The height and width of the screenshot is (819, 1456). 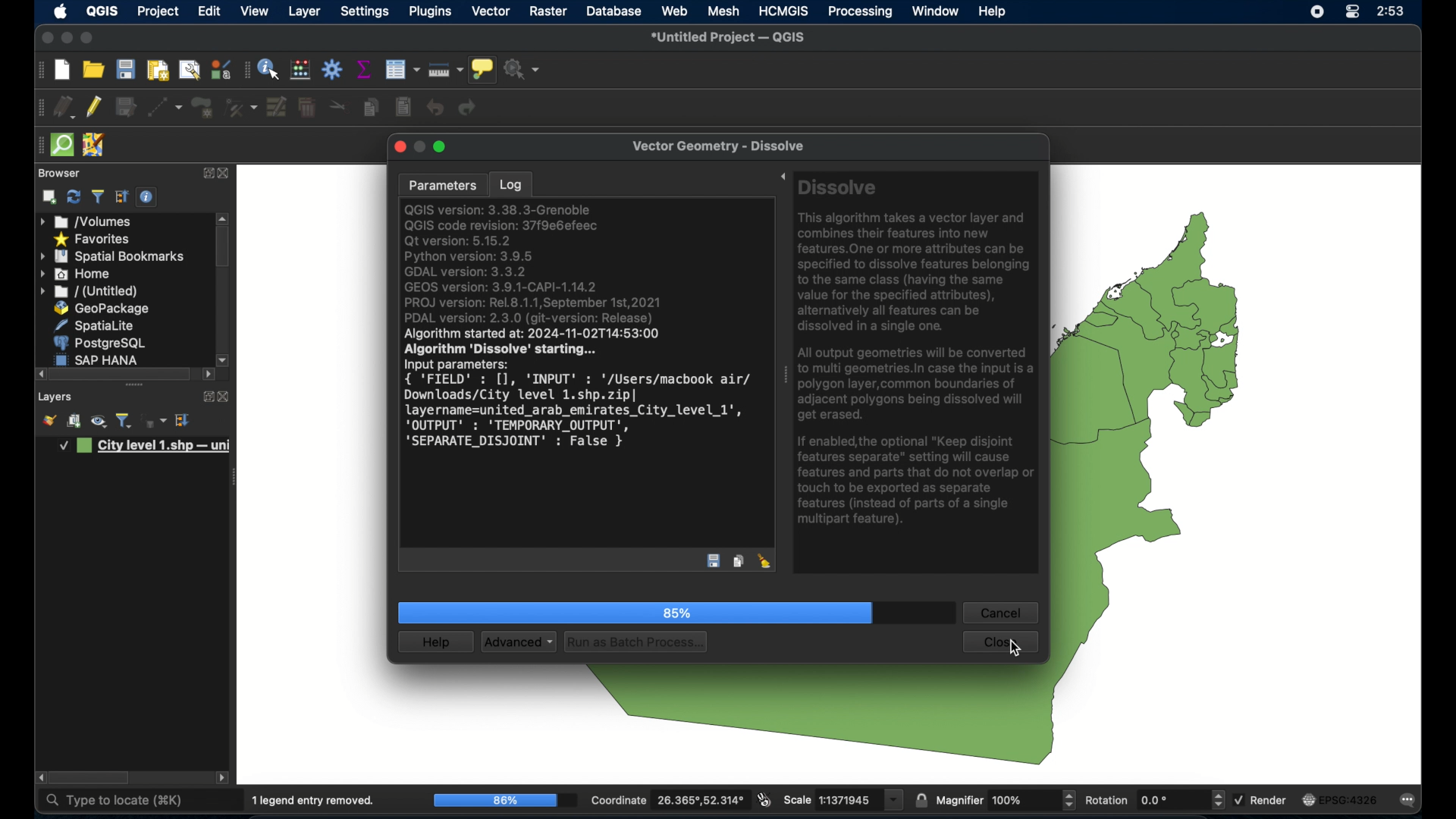 I want to click on control center, so click(x=1351, y=12).